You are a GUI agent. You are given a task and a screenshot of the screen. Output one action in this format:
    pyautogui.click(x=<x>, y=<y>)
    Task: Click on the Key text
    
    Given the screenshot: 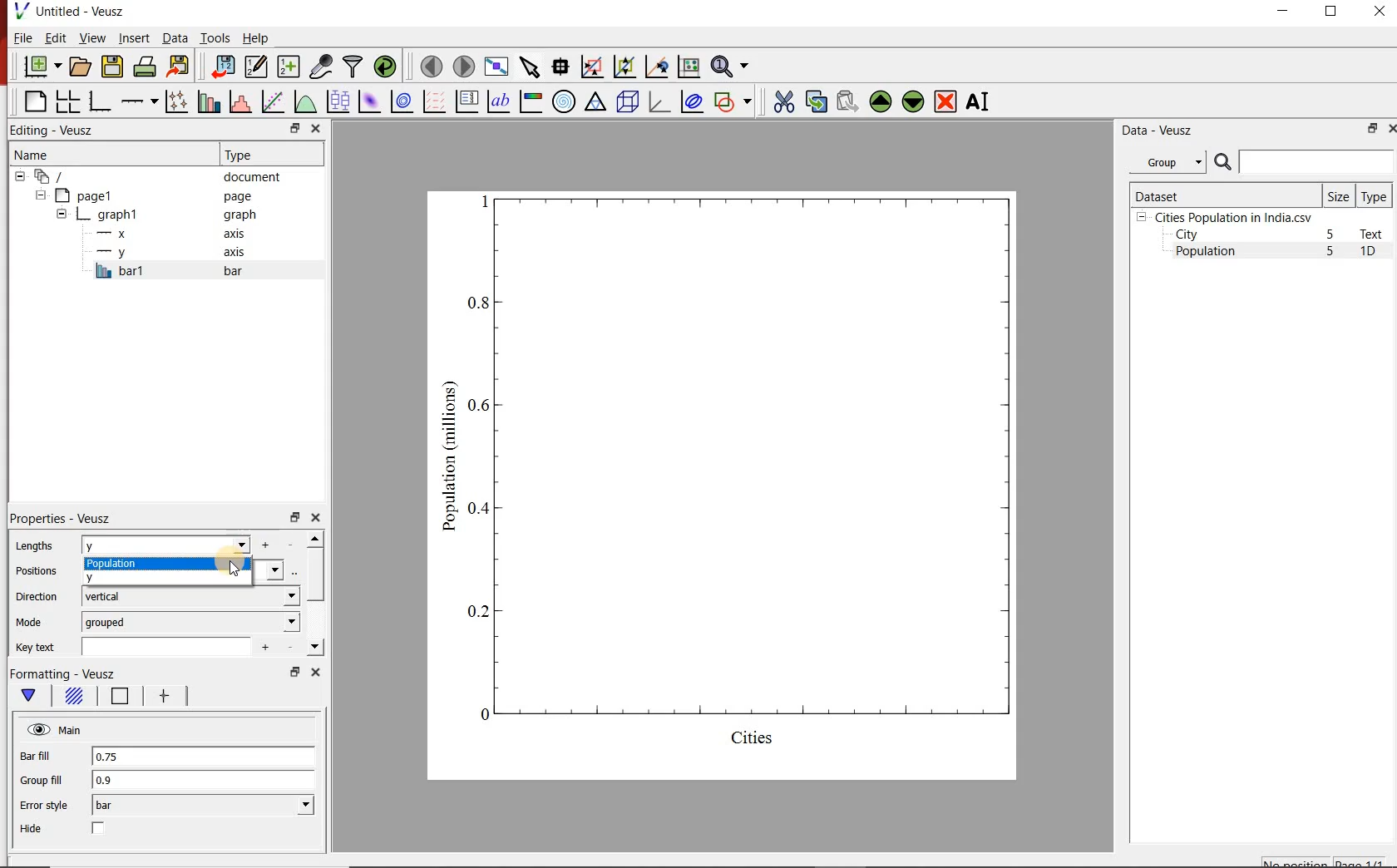 What is the action you would take?
    pyautogui.click(x=38, y=648)
    